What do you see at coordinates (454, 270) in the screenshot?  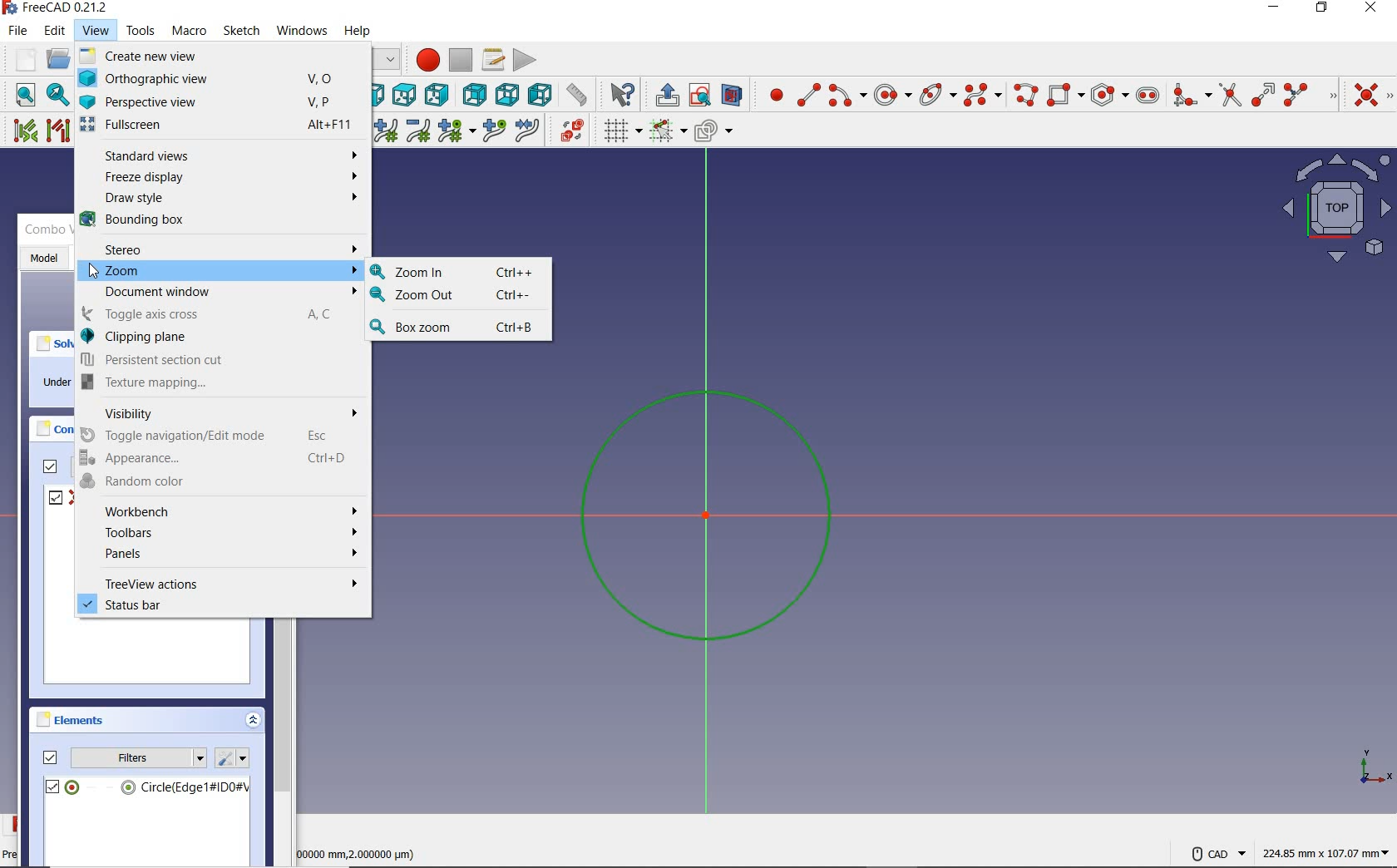 I see `Zoom In` at bounding box center [454, 270].